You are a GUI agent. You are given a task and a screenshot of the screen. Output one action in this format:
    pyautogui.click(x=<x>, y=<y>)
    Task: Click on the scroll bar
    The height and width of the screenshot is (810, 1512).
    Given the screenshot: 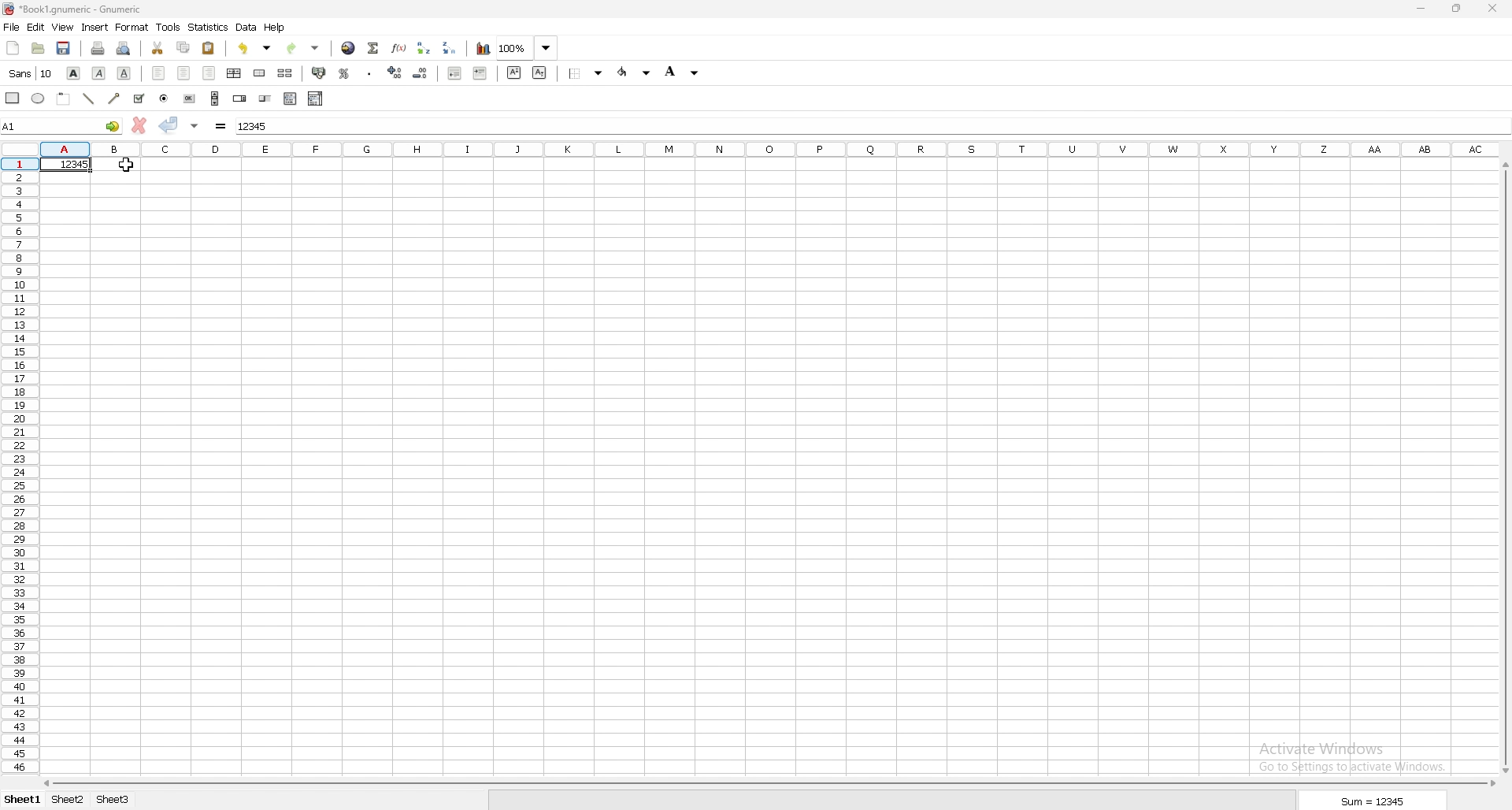 What is the action you would take?
    pyautogui.click(x=1504, y=470)
    